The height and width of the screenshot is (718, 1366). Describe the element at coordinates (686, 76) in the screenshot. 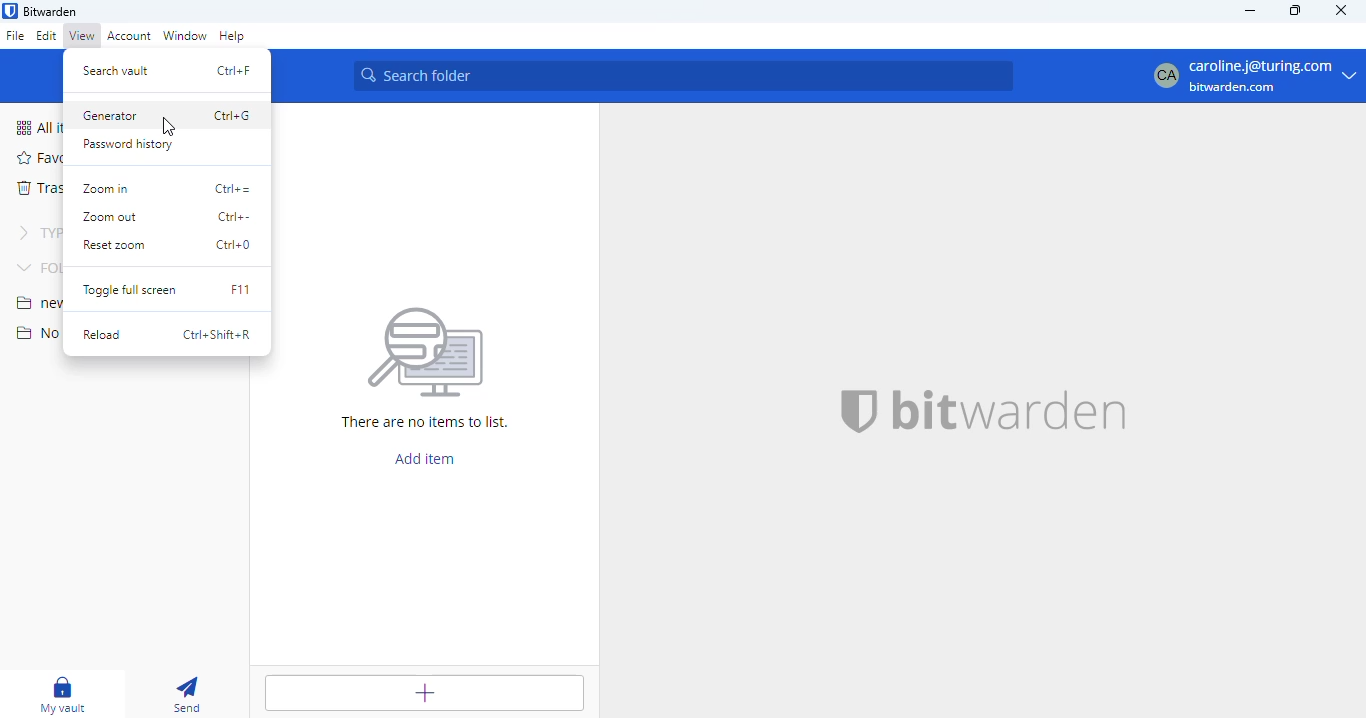

I see `search folder` at that location.